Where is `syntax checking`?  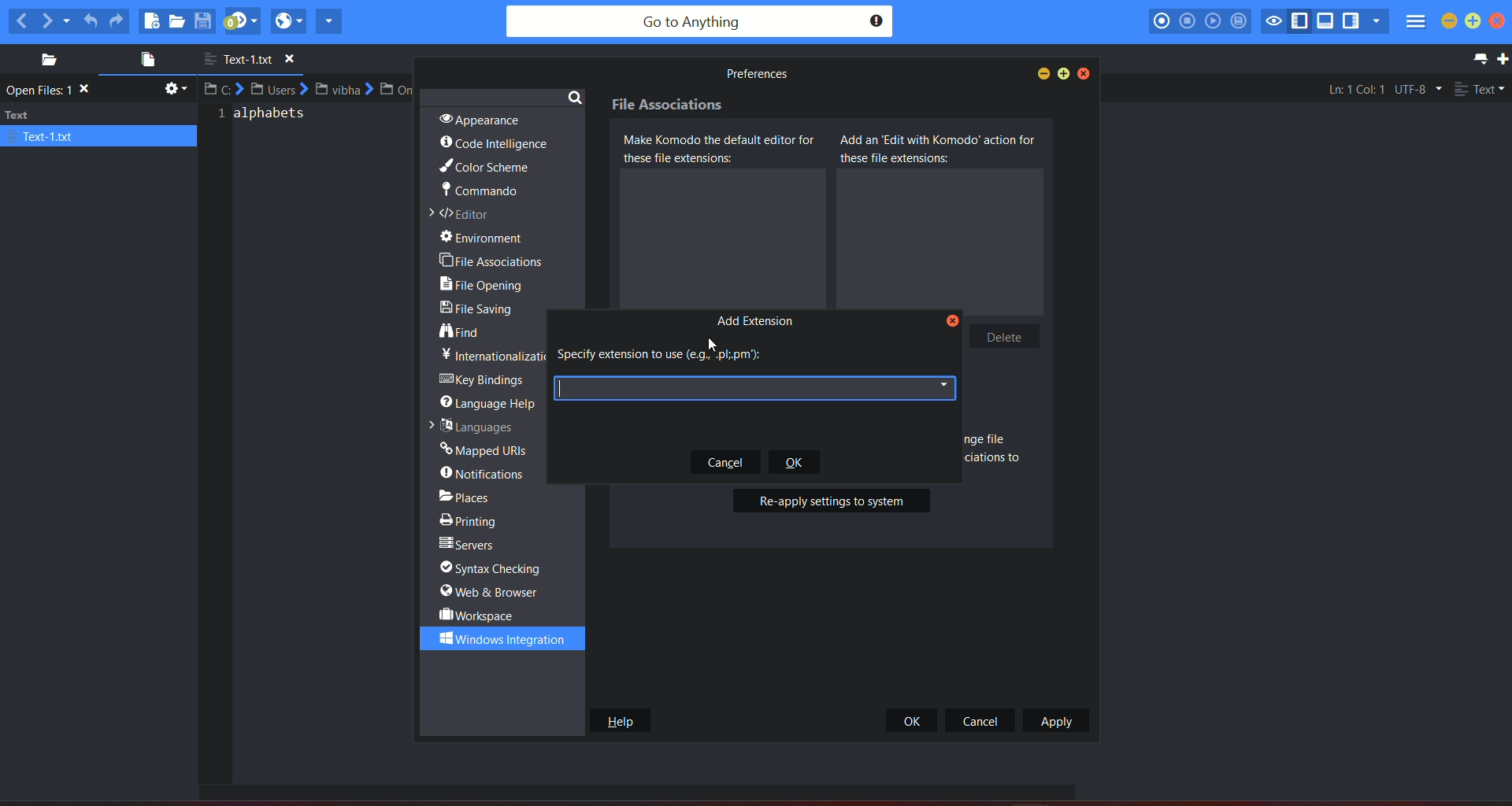
syntax checking is located at coordinates (498, 568).